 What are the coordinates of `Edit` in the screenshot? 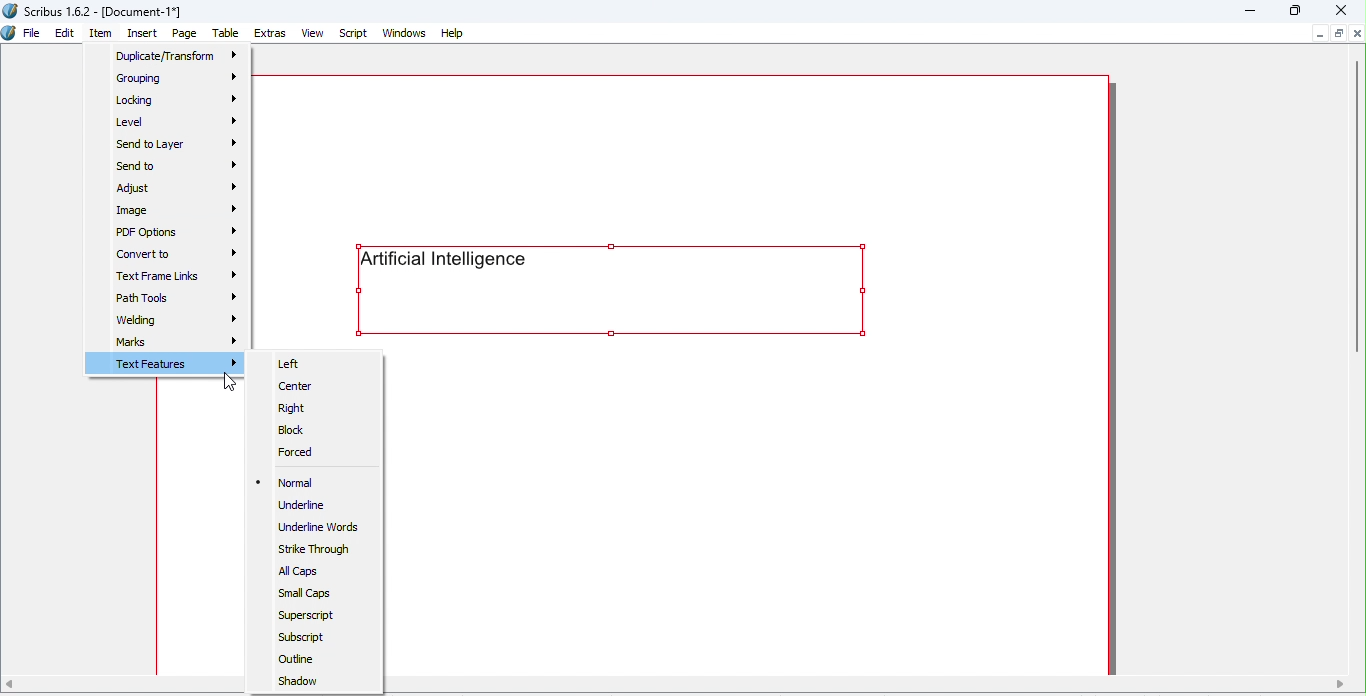 It's located at (64, 33).